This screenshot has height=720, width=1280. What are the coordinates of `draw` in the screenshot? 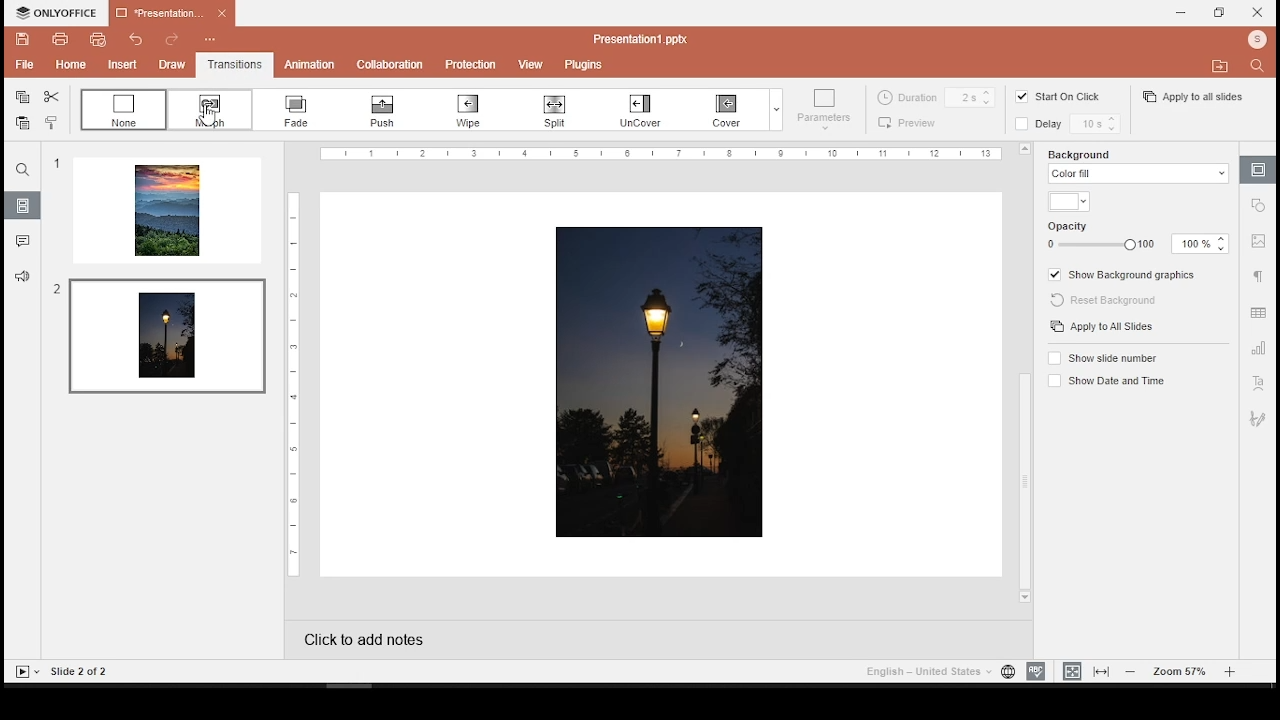 It's located at (168, 63).